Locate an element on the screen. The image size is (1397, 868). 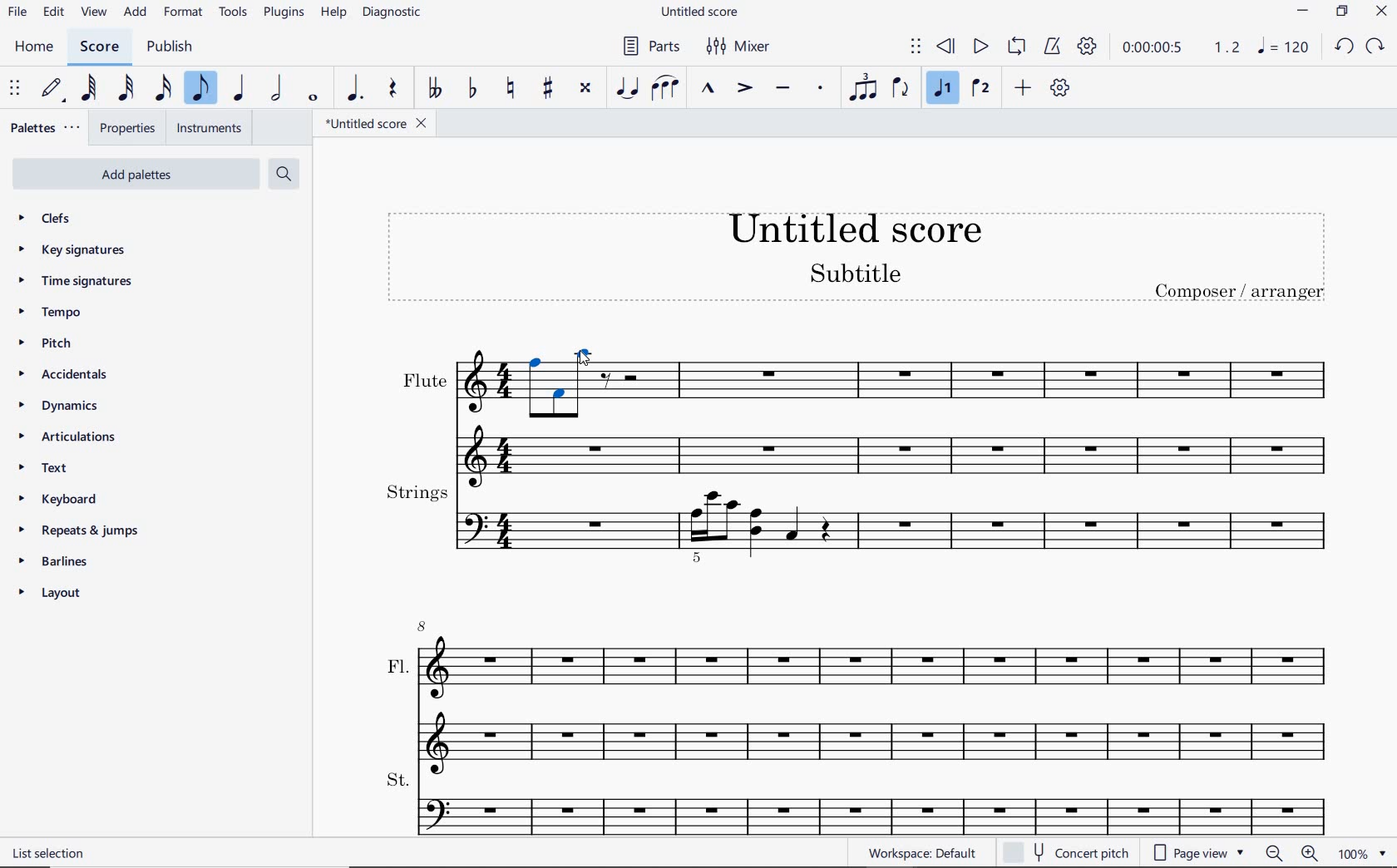
FILE NAME is located at coordinates (380, 123).